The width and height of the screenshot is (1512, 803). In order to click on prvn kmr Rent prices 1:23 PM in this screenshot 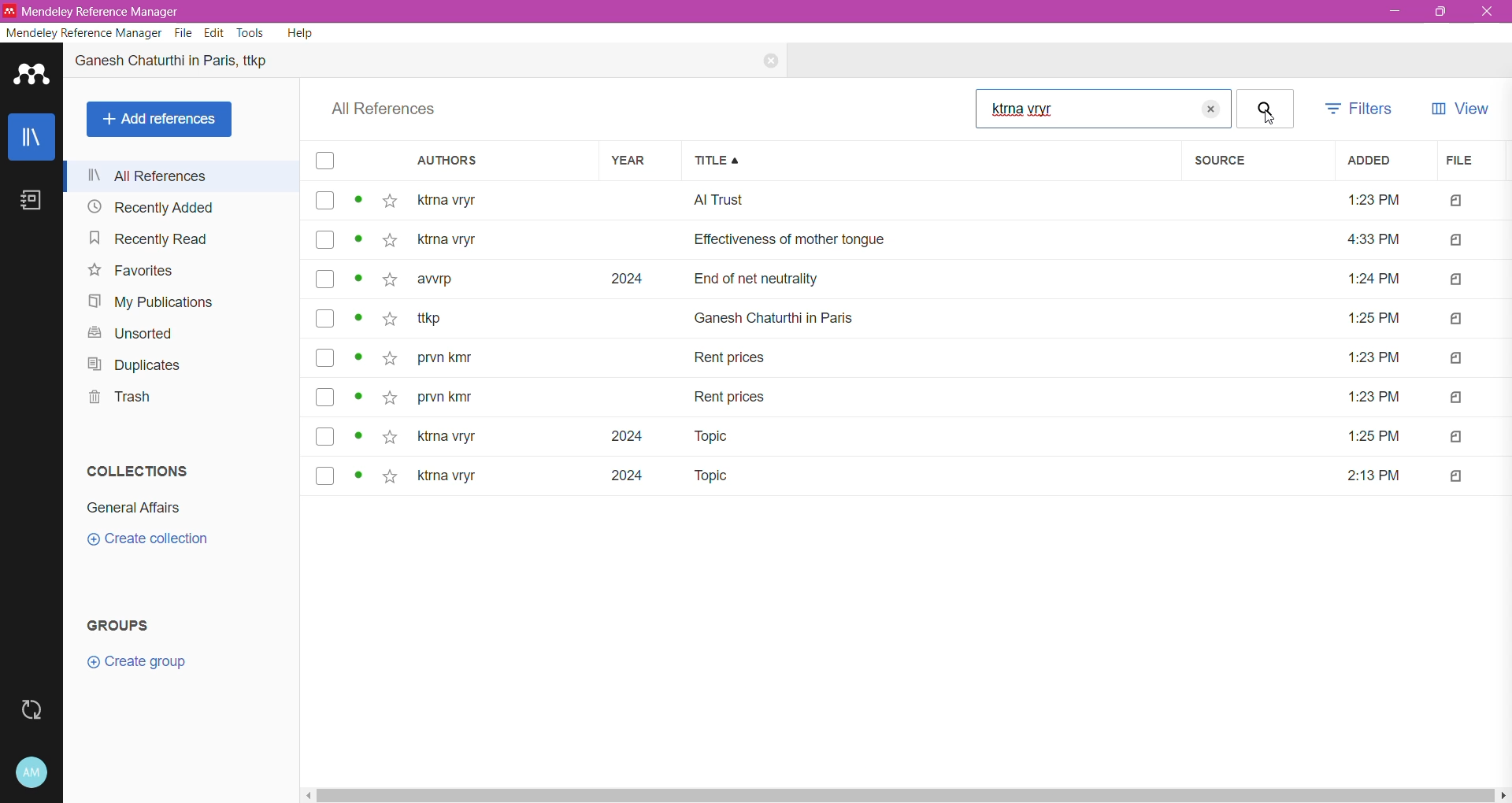, I will do `click(910, 361)`.